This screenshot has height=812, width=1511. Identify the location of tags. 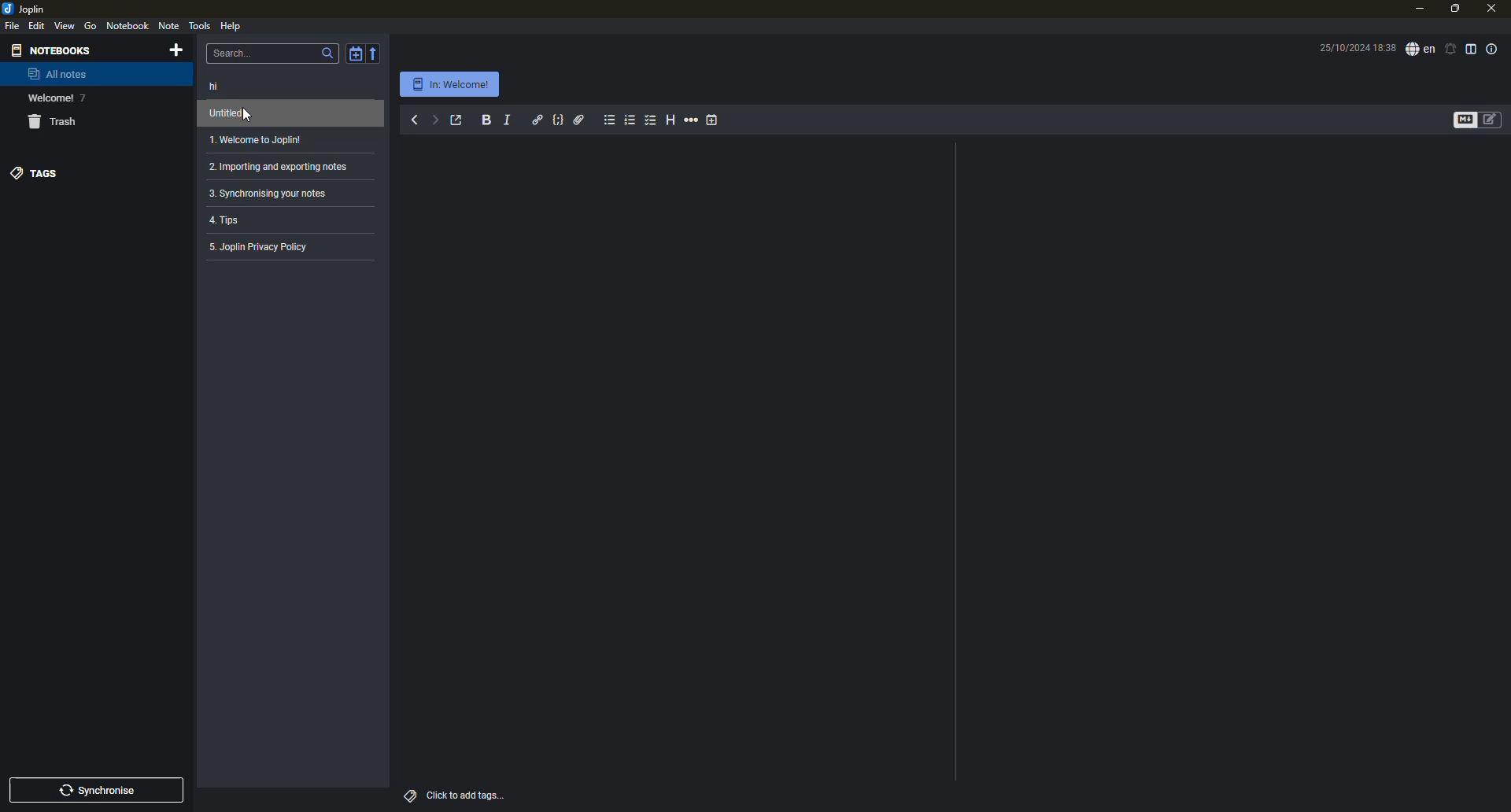
(411, 795).